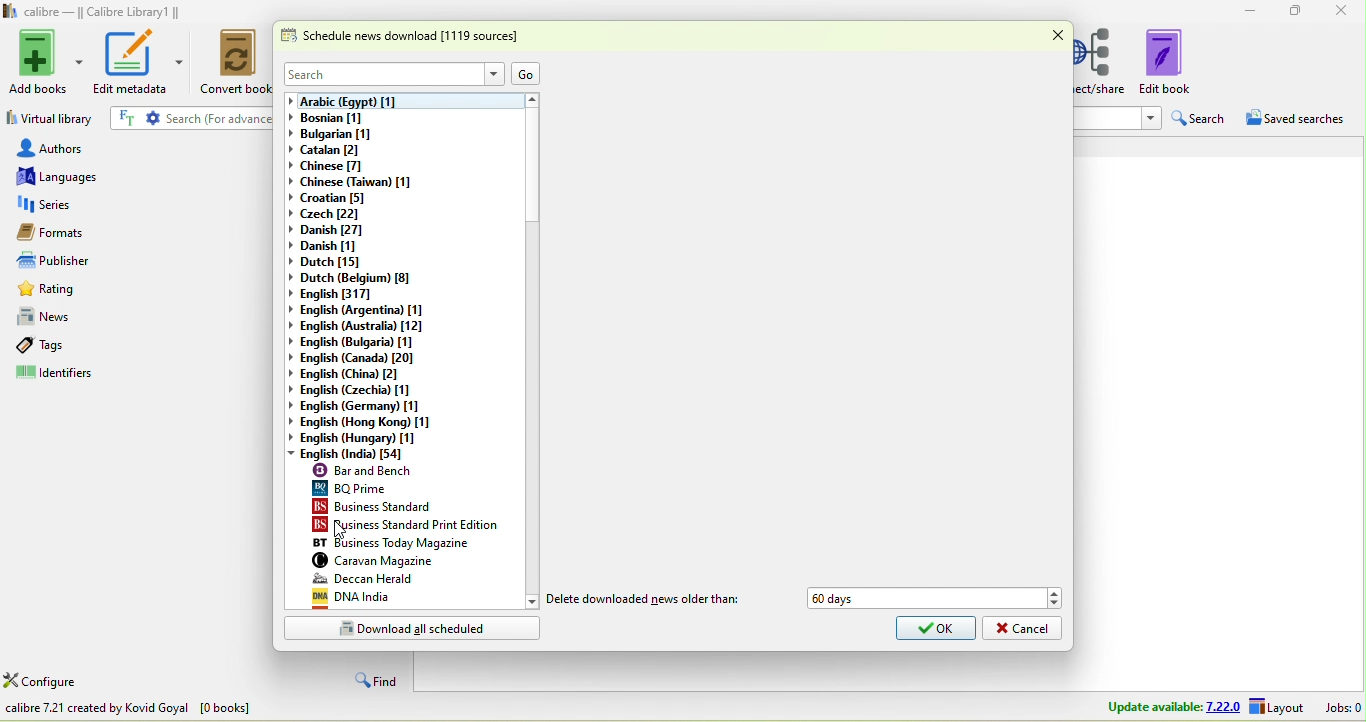 This screenshot has height=722, width=1366. What do you see at coordinates (411, 578) in the screenshot?
I see `deccan herald` at bounding box center [411, 578].